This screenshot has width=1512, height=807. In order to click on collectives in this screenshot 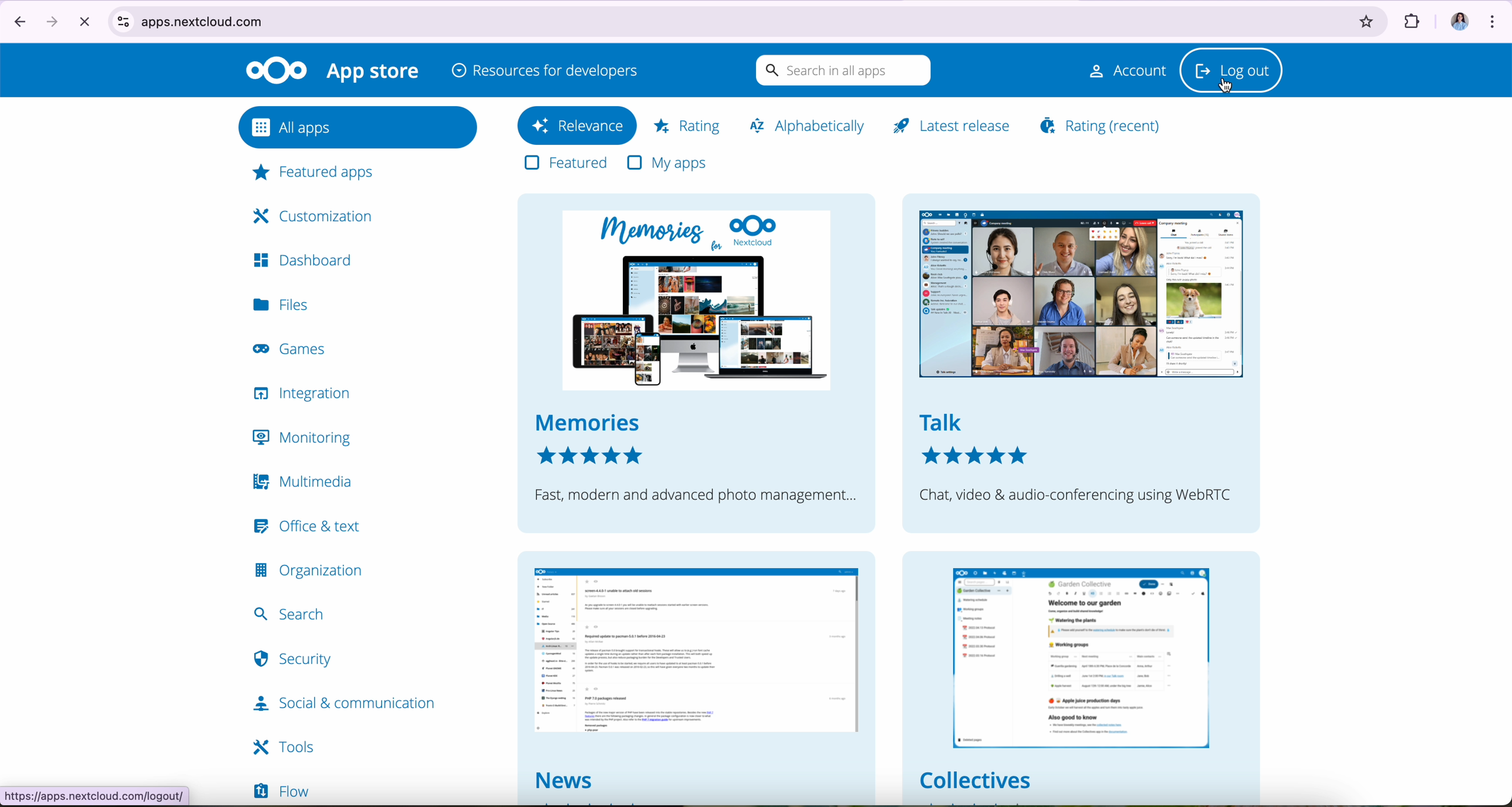, I will do `click(1078, 677)`.